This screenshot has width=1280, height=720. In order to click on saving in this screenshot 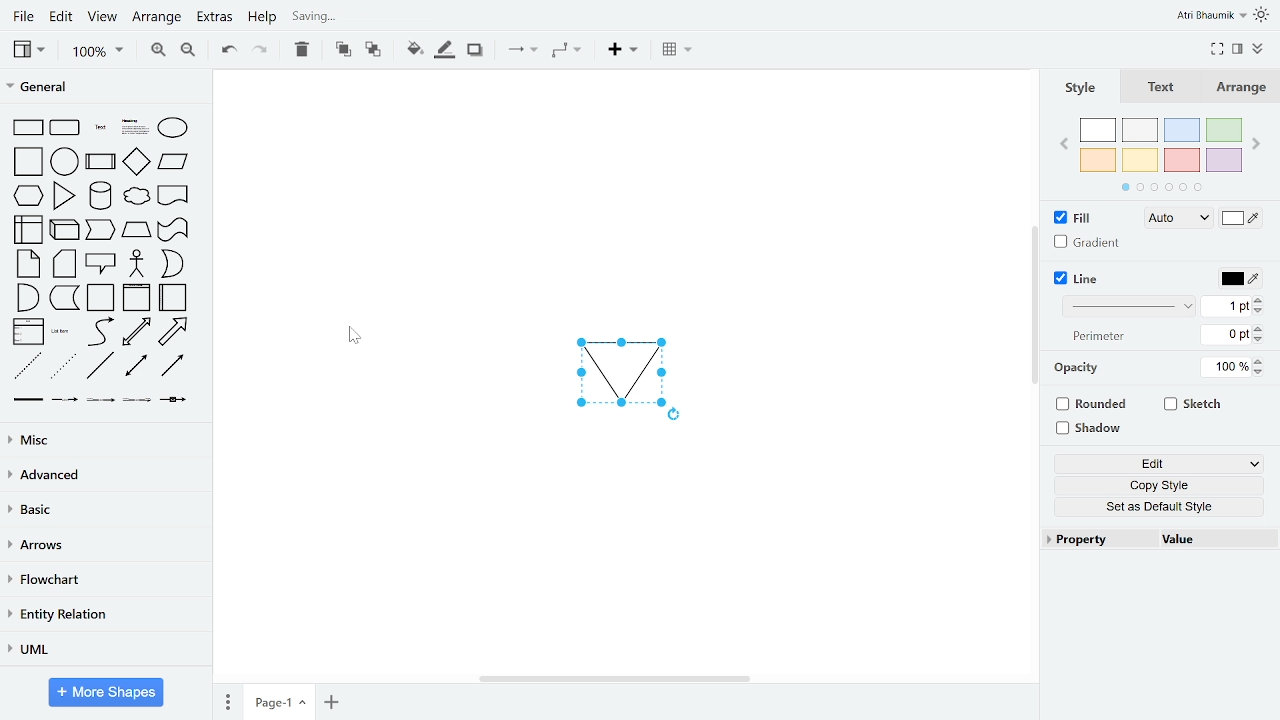, I will do `click(386, 17)`.